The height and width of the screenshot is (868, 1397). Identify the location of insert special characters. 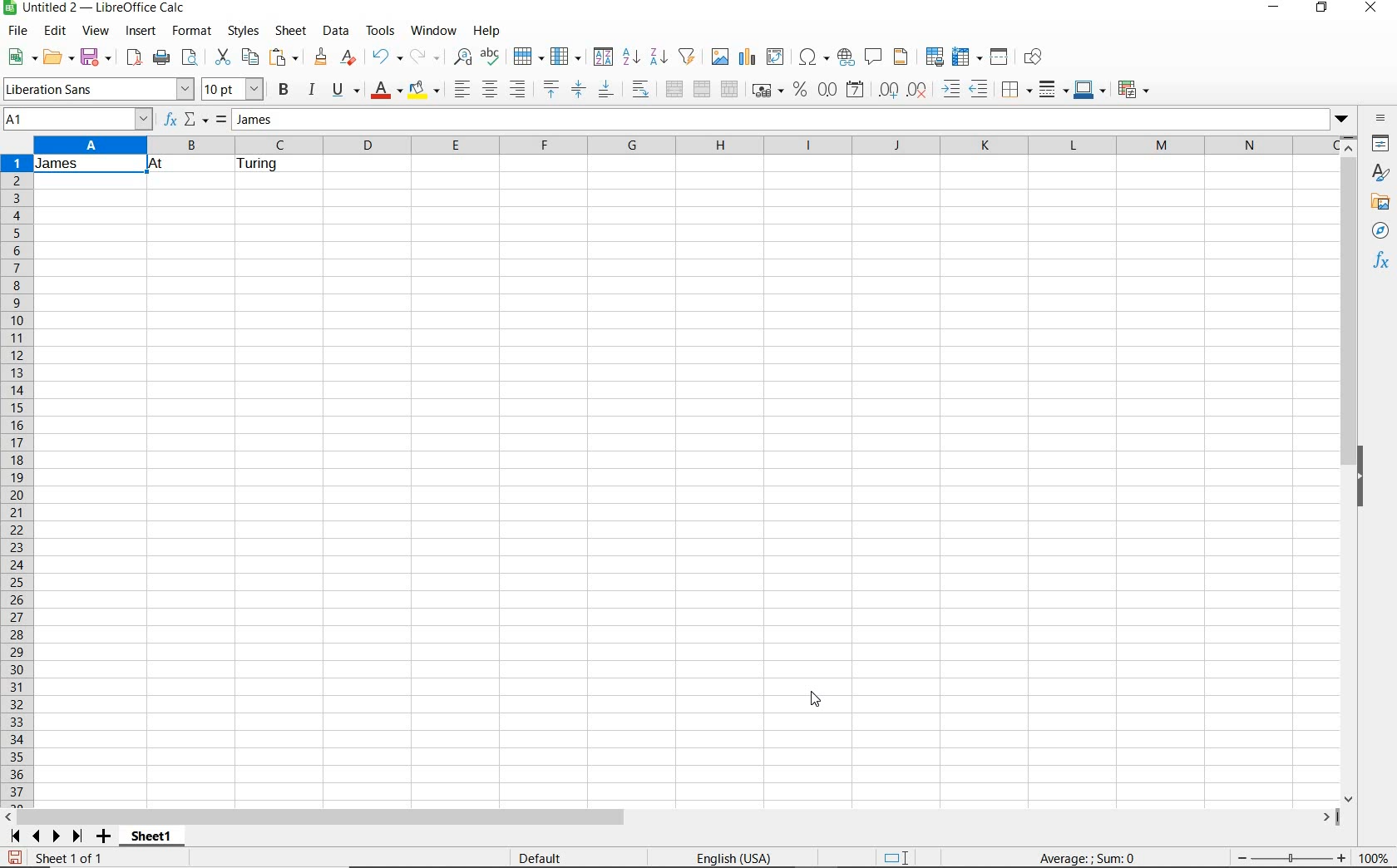
(813, 58).